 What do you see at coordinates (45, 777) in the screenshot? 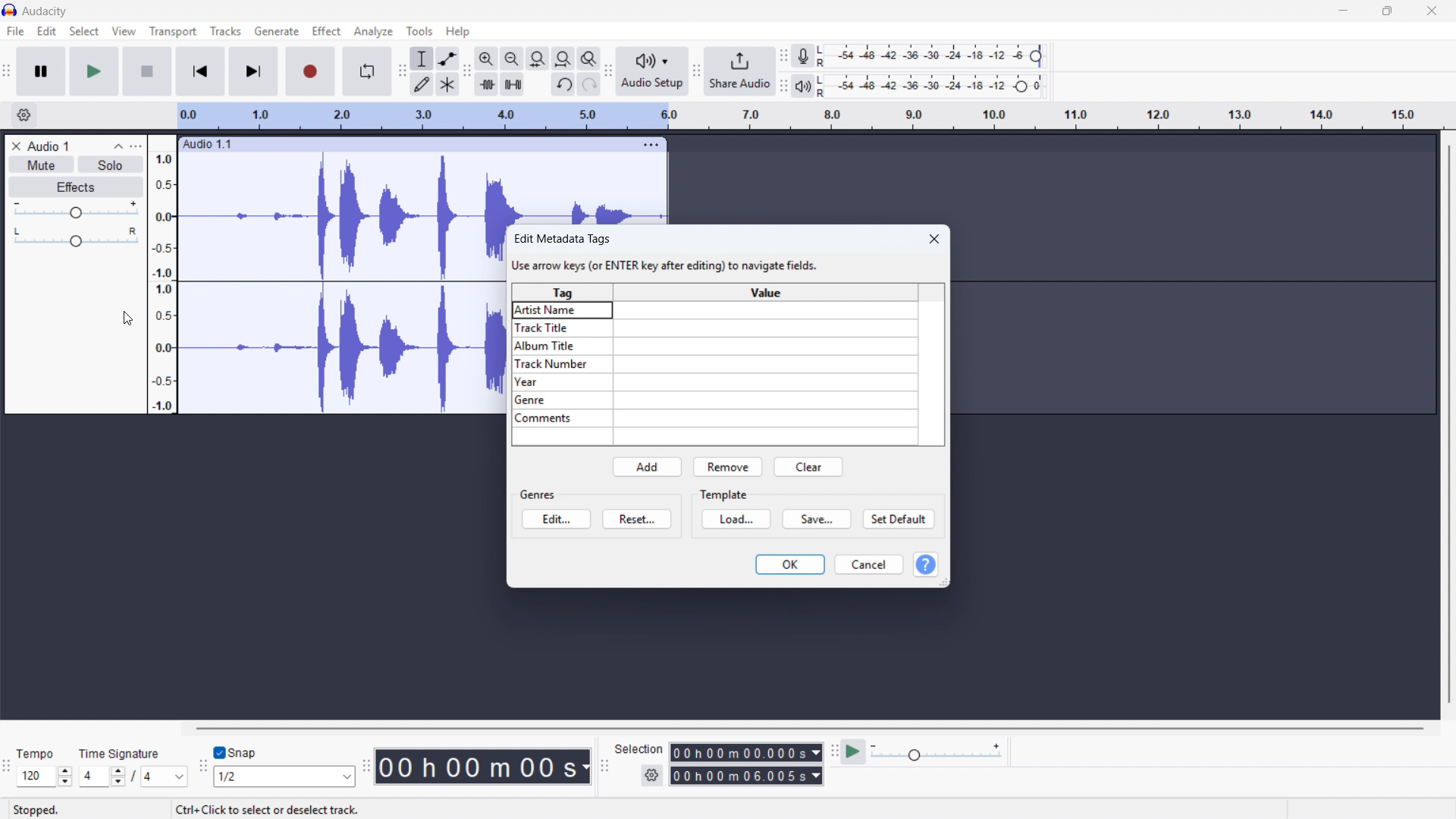
I see `set tempo` at bounding box center [45, 777].